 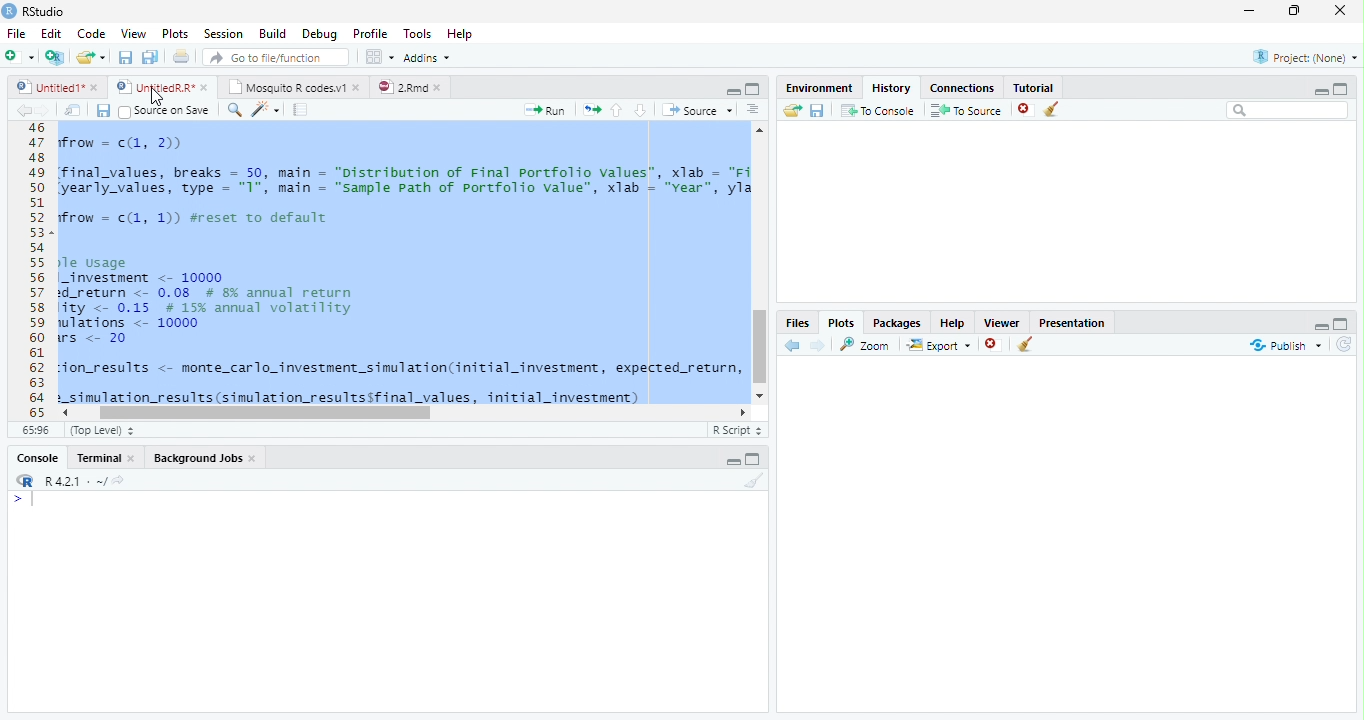 What do you see at coordinates (995, 345) in the screenshot?
I see `Remove selected` at bounding box center [995, 345].